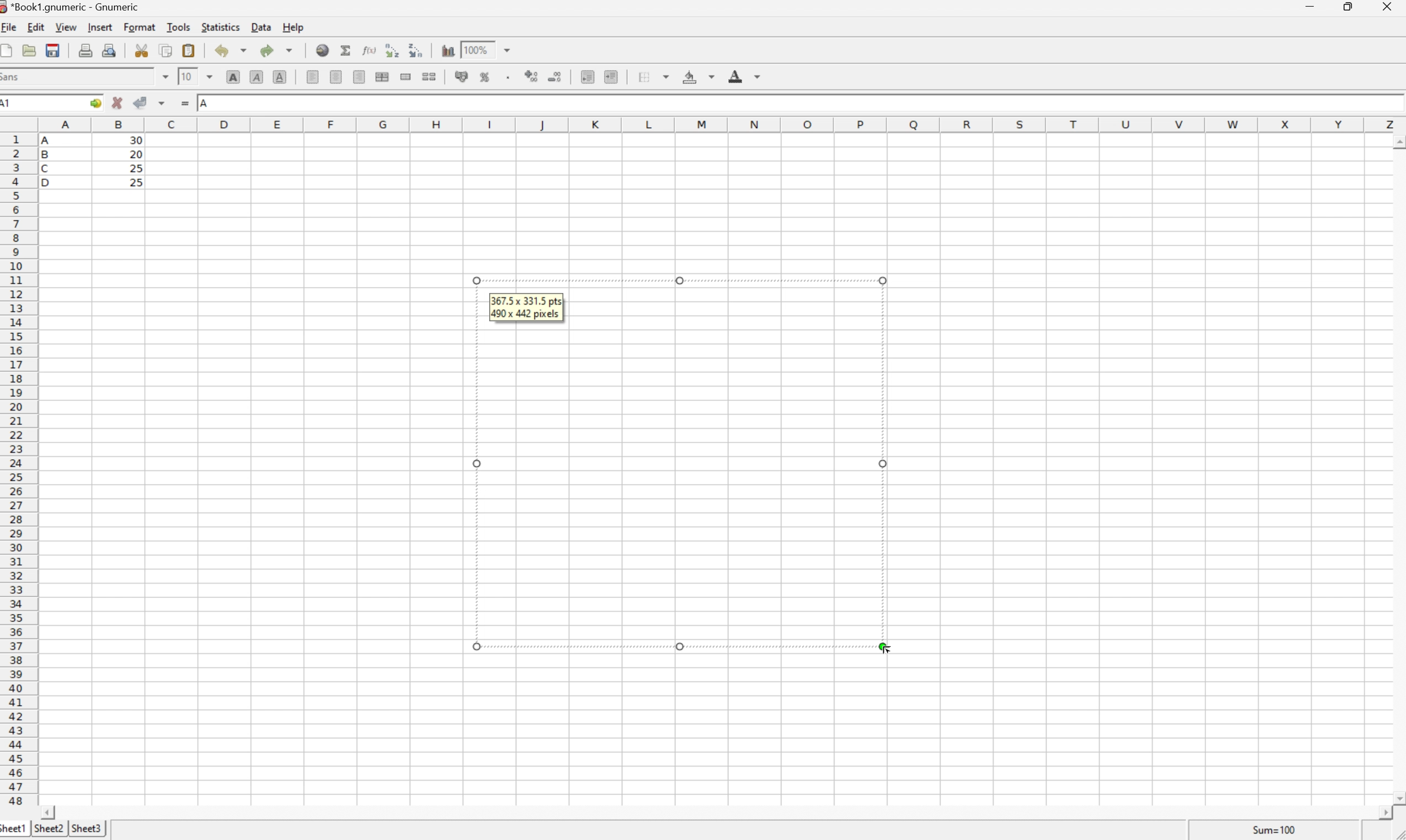 The width and height of the screenshot is (1406, 840). What do you see at coordinates (486, 79) in the screenshot?
I see `Format selection as percentage` at bounding box center [486, 79].